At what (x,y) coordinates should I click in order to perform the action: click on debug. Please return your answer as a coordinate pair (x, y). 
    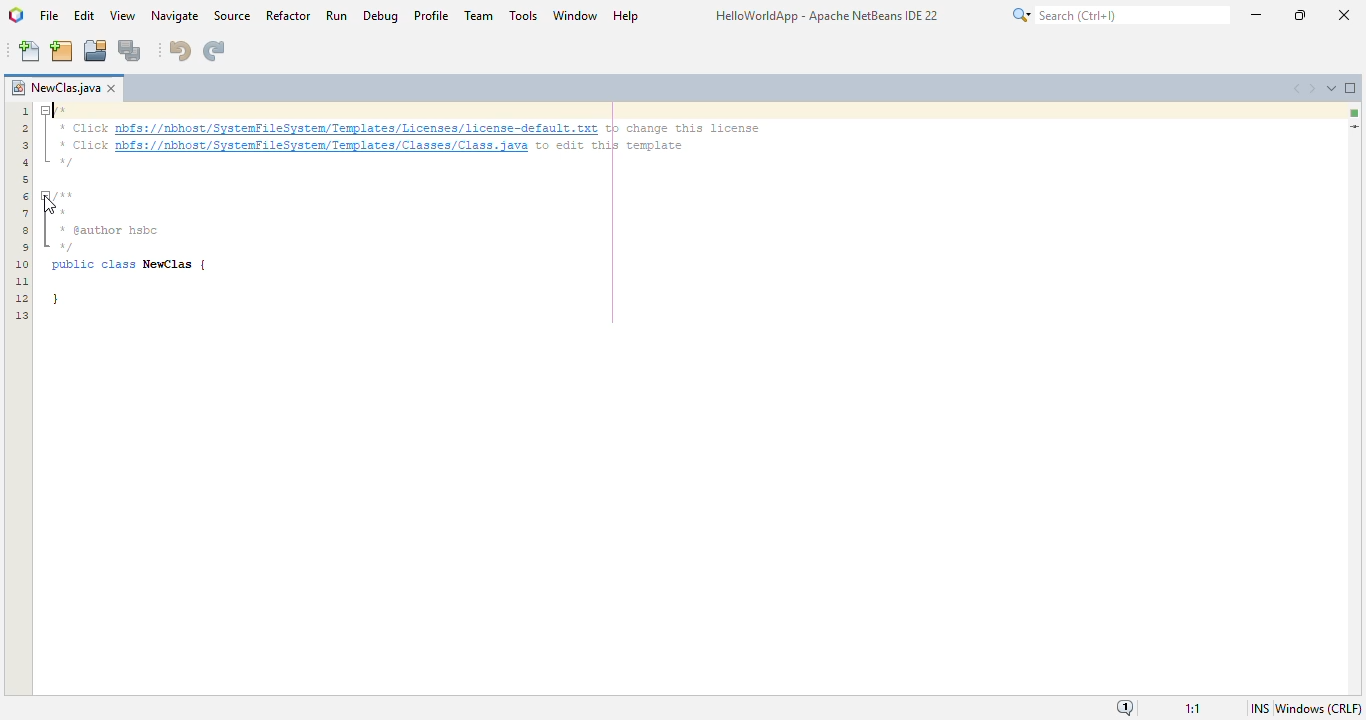
    Looking at the image, I should click on (382, 15).